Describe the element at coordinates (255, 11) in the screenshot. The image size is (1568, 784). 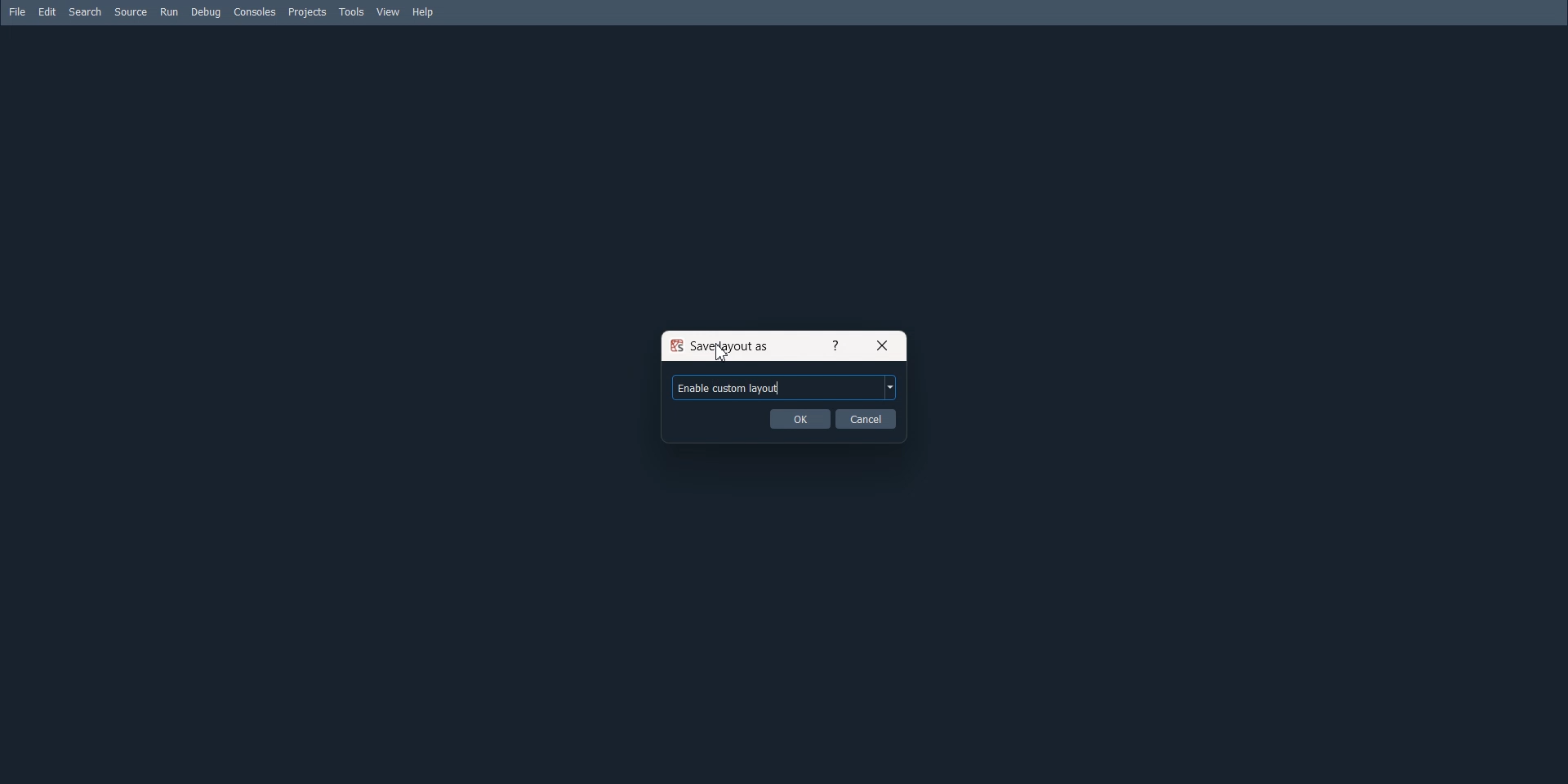
I see `Consoles` at that location.